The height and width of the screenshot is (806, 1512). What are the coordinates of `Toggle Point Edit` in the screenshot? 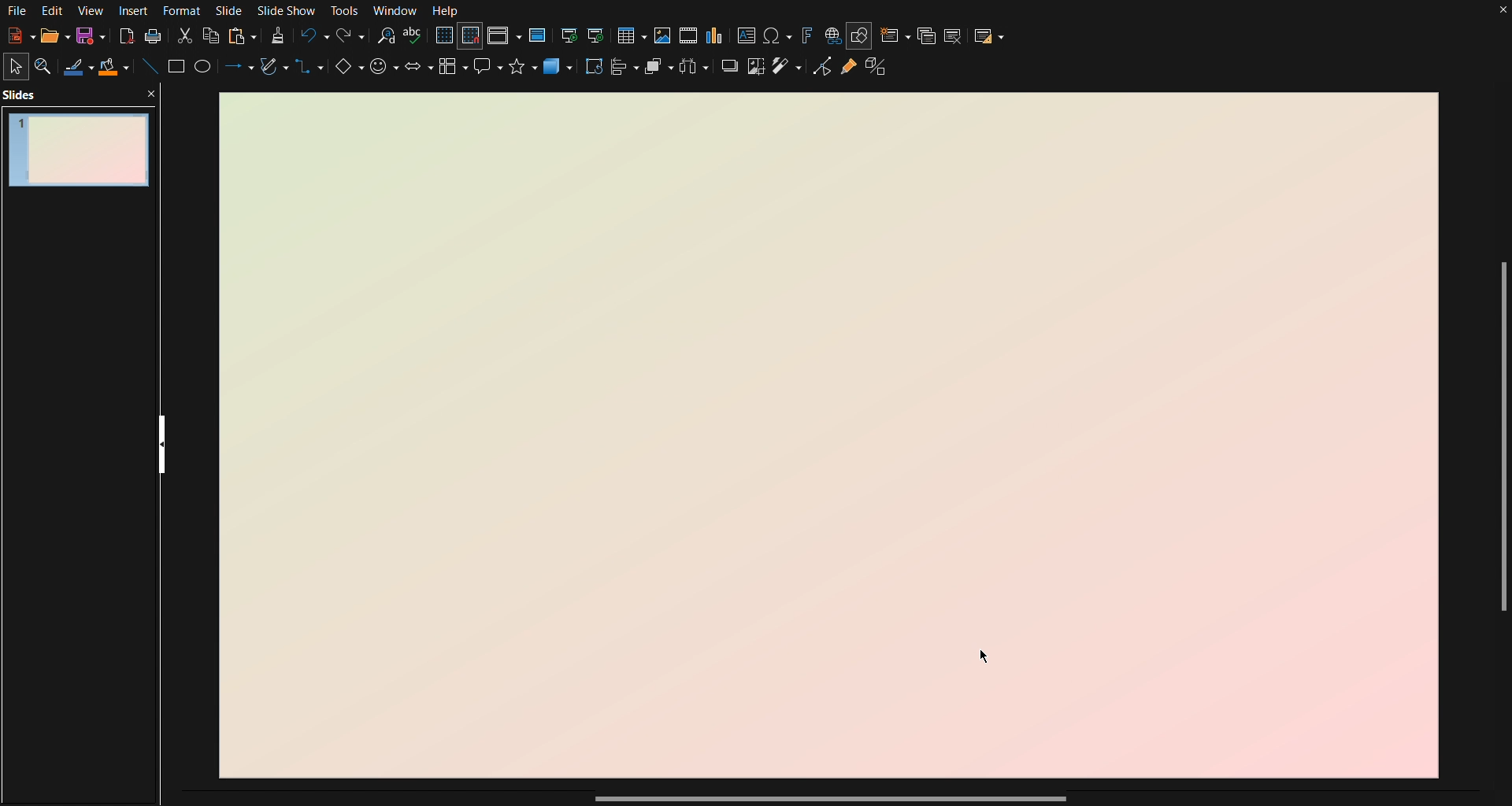 It's located at (820, 72).